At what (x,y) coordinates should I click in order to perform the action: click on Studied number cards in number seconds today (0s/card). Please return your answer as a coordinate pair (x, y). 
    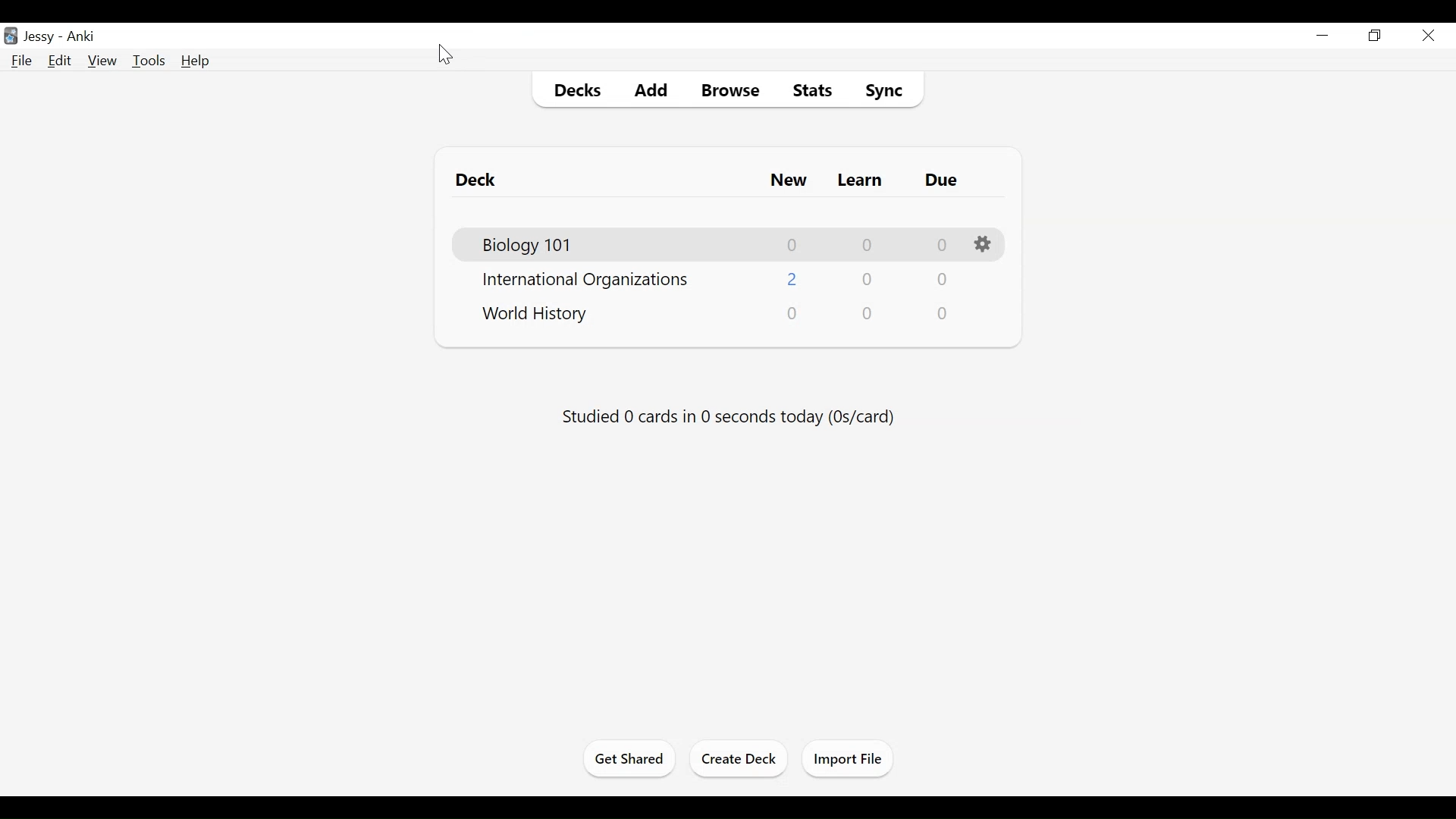
    Looking at the image, I should click on (734, 416).